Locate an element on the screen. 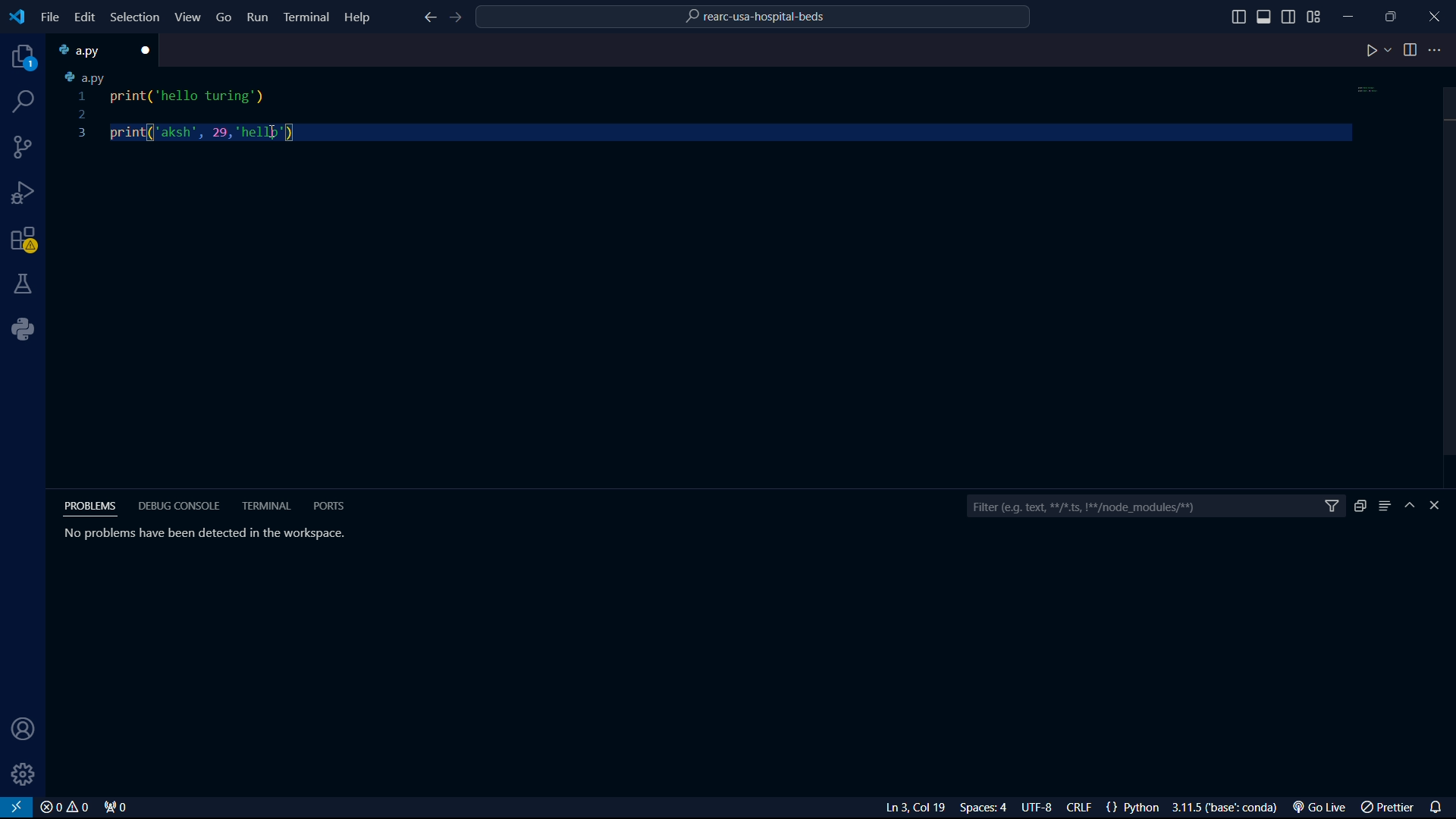 This screenshot has width=1456, height=819. minimize is located at coordinates (1353, 13).